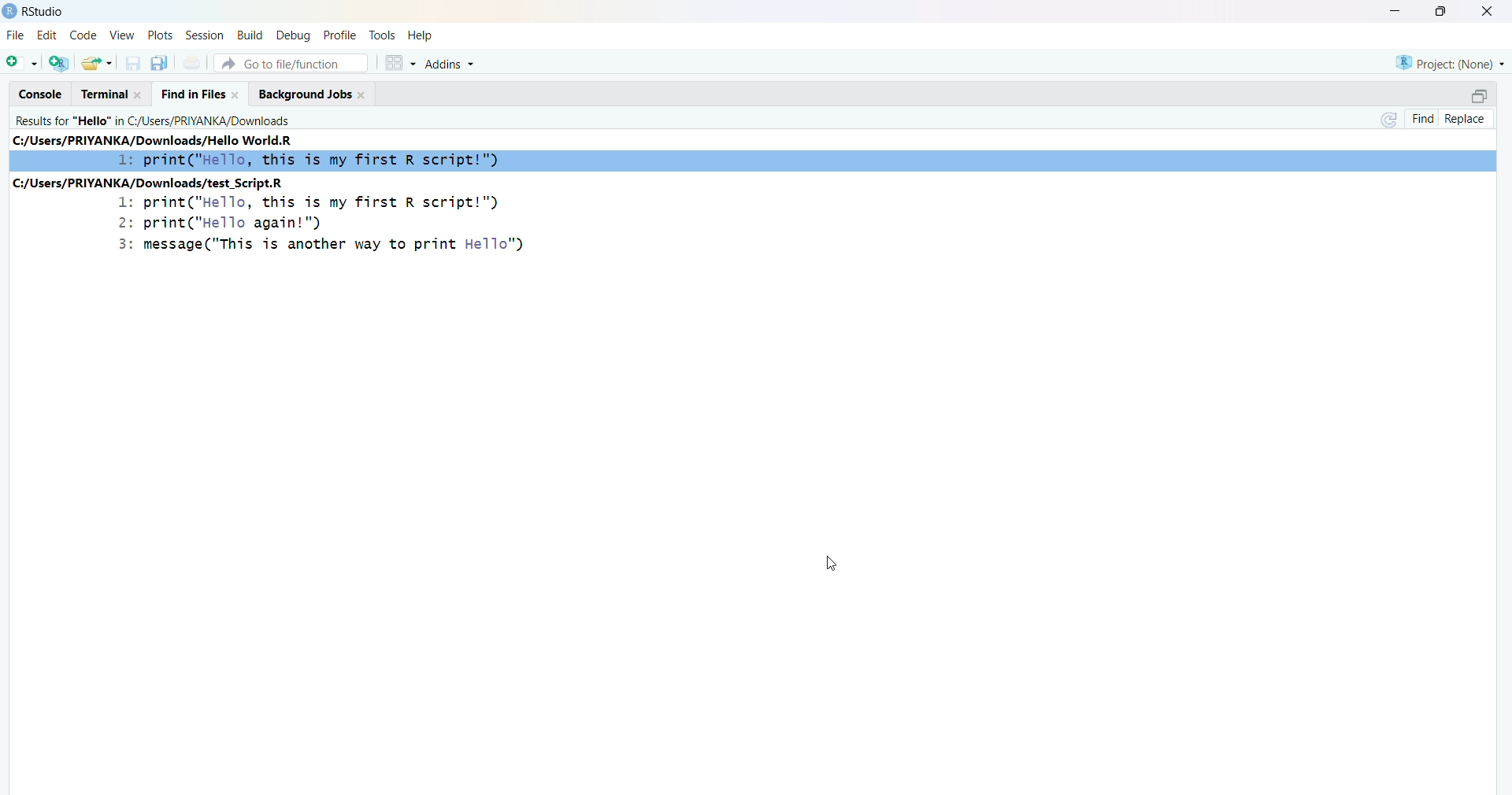  I want to click on open file, so click(24, 62).